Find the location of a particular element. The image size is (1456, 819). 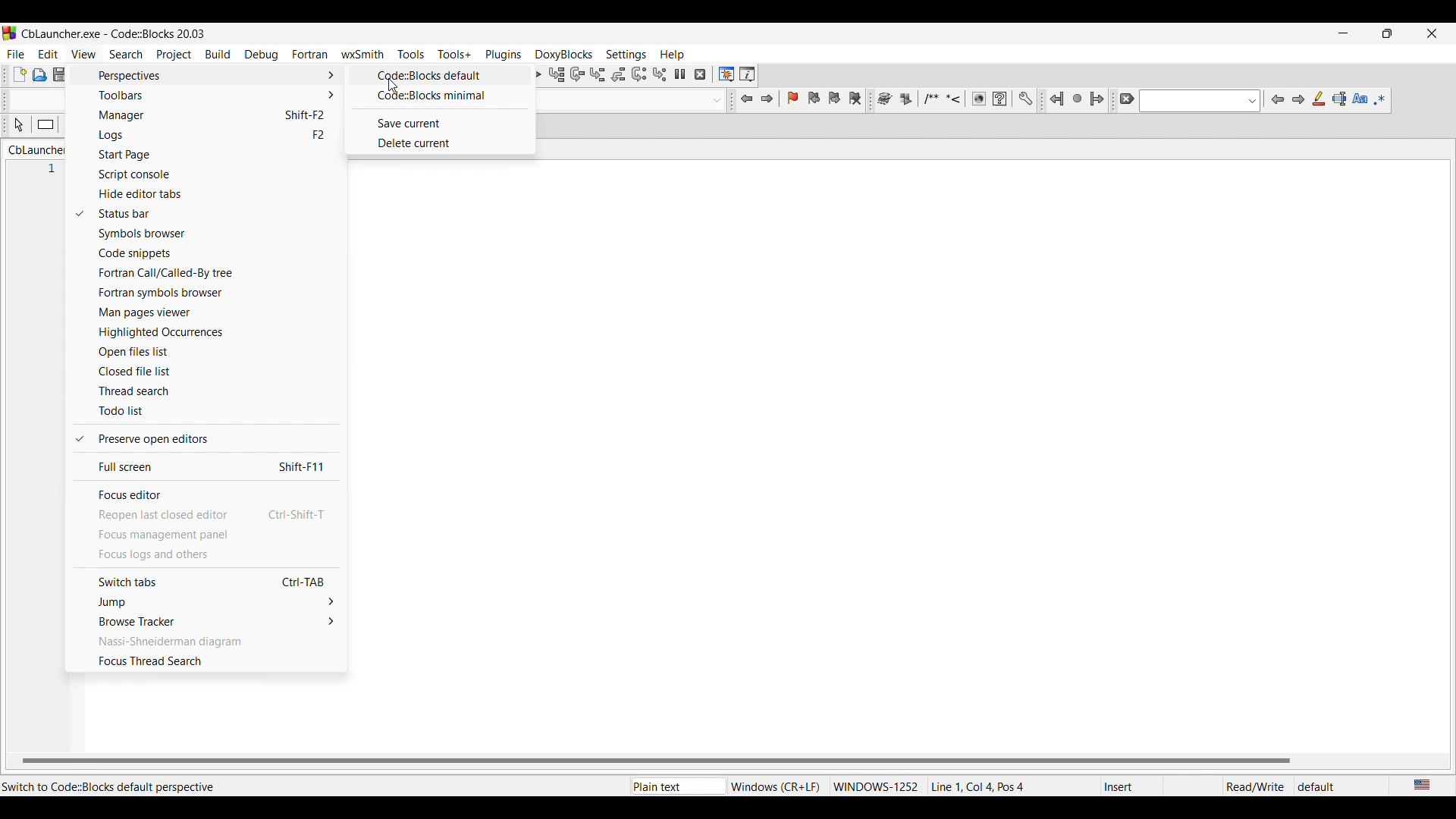

Todo list is located at coordinates (218, 412).